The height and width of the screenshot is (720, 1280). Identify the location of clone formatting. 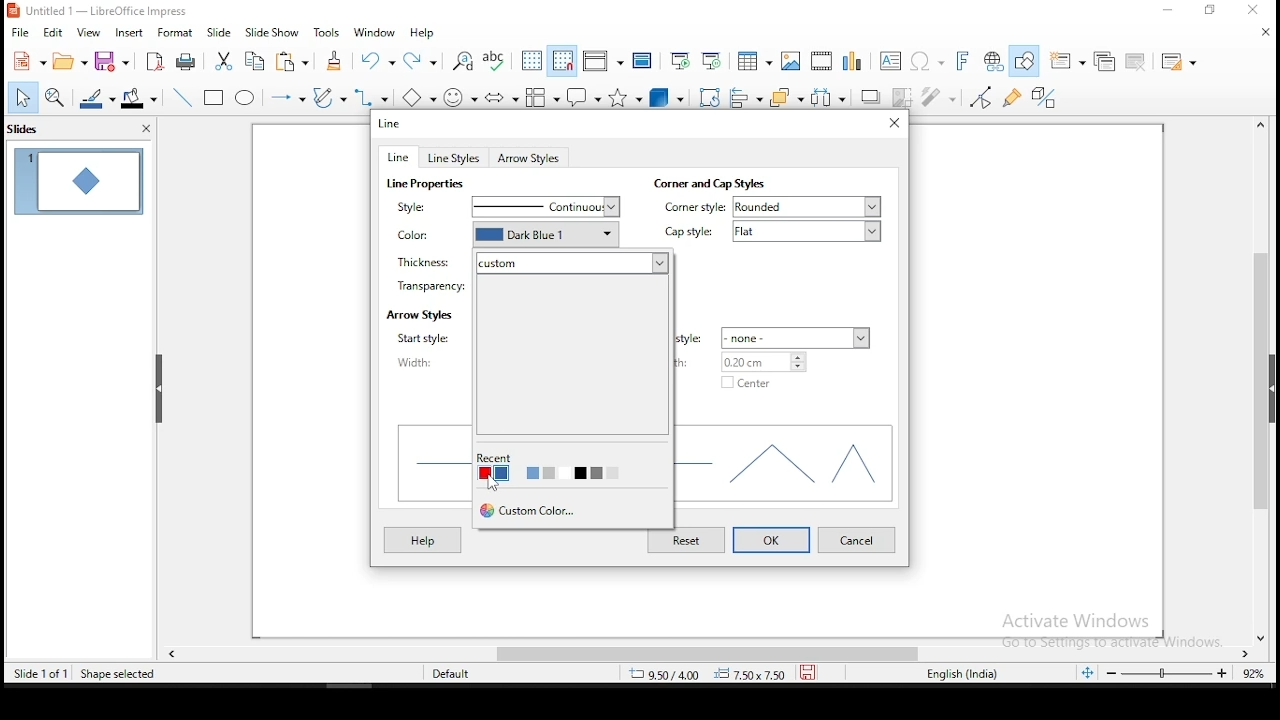
(339, 64).